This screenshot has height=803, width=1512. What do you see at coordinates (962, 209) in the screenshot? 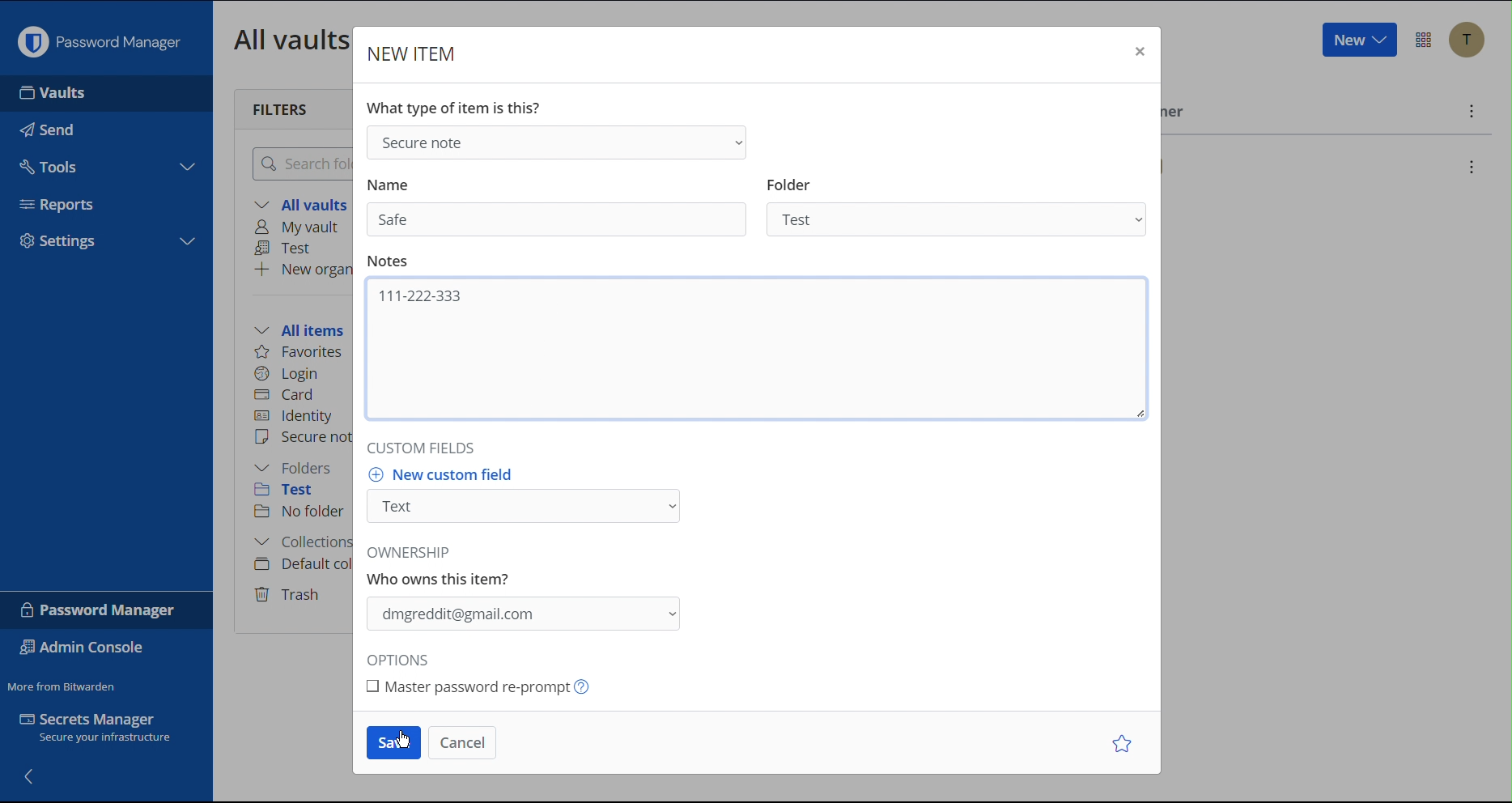
I see `Folder` at bounding box center [962, 209].